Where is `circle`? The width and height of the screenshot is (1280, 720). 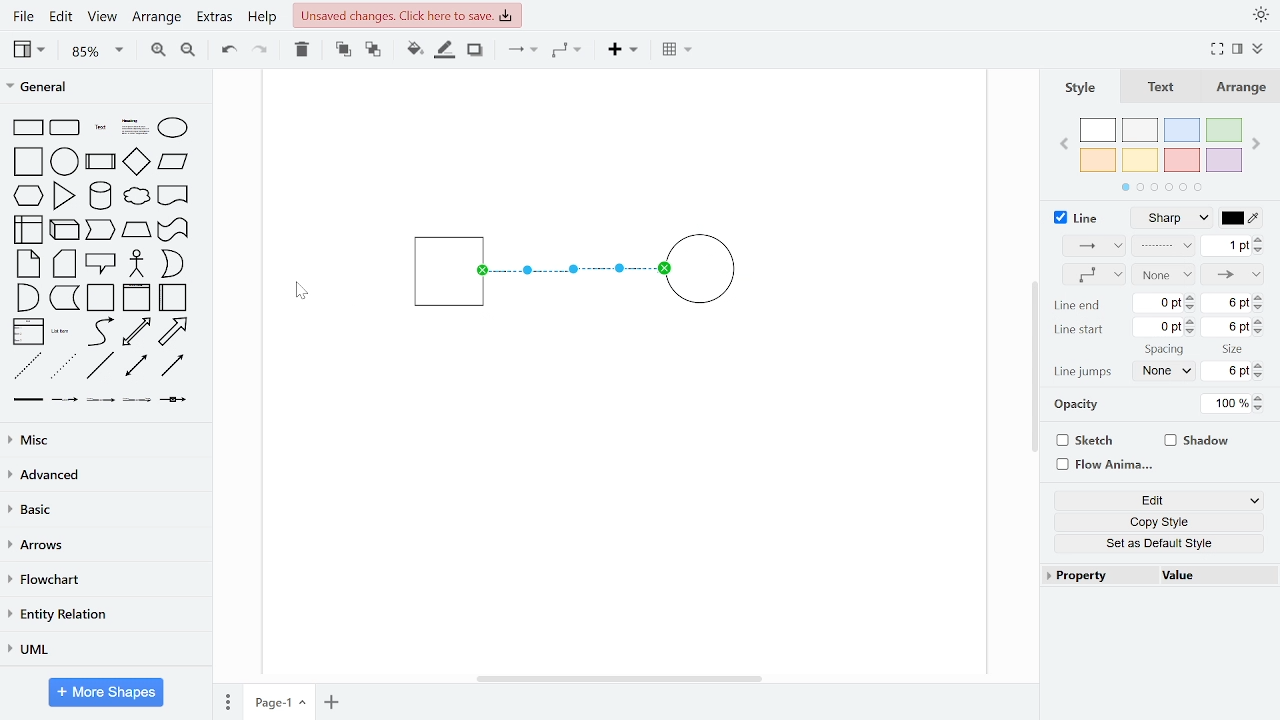
circle is located at coordinates (65, 161).